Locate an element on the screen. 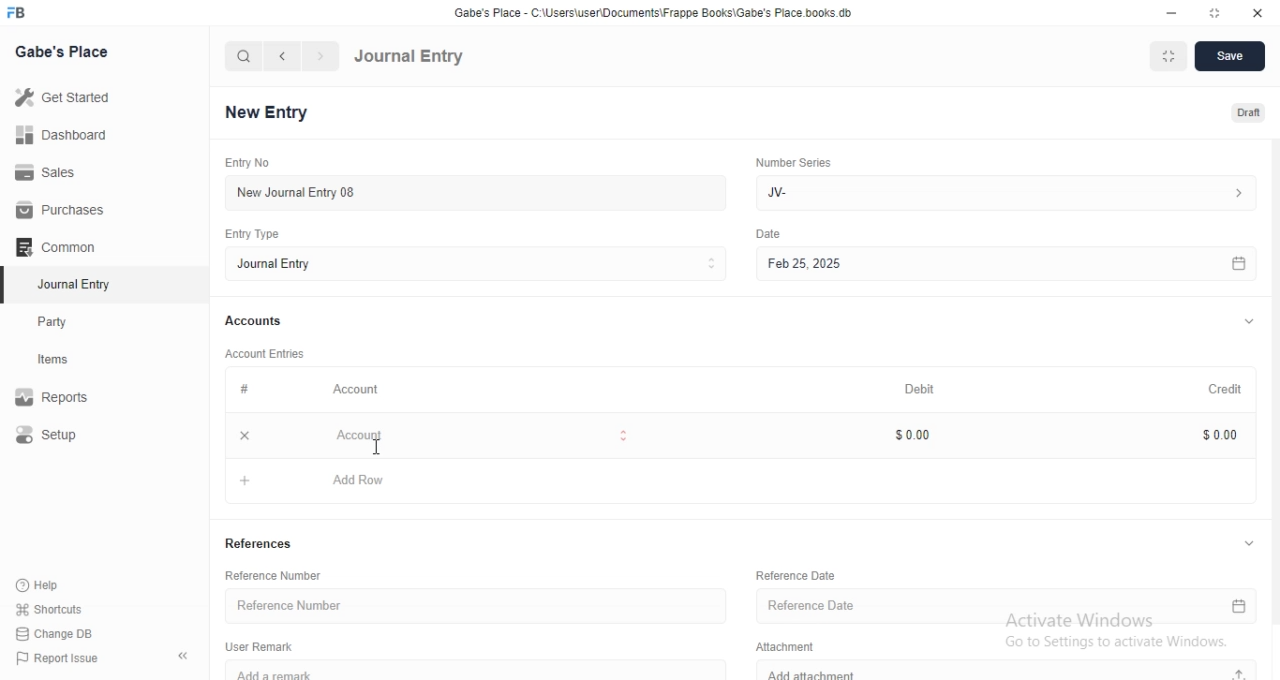  minimize is located at coordinates (1174, 11).